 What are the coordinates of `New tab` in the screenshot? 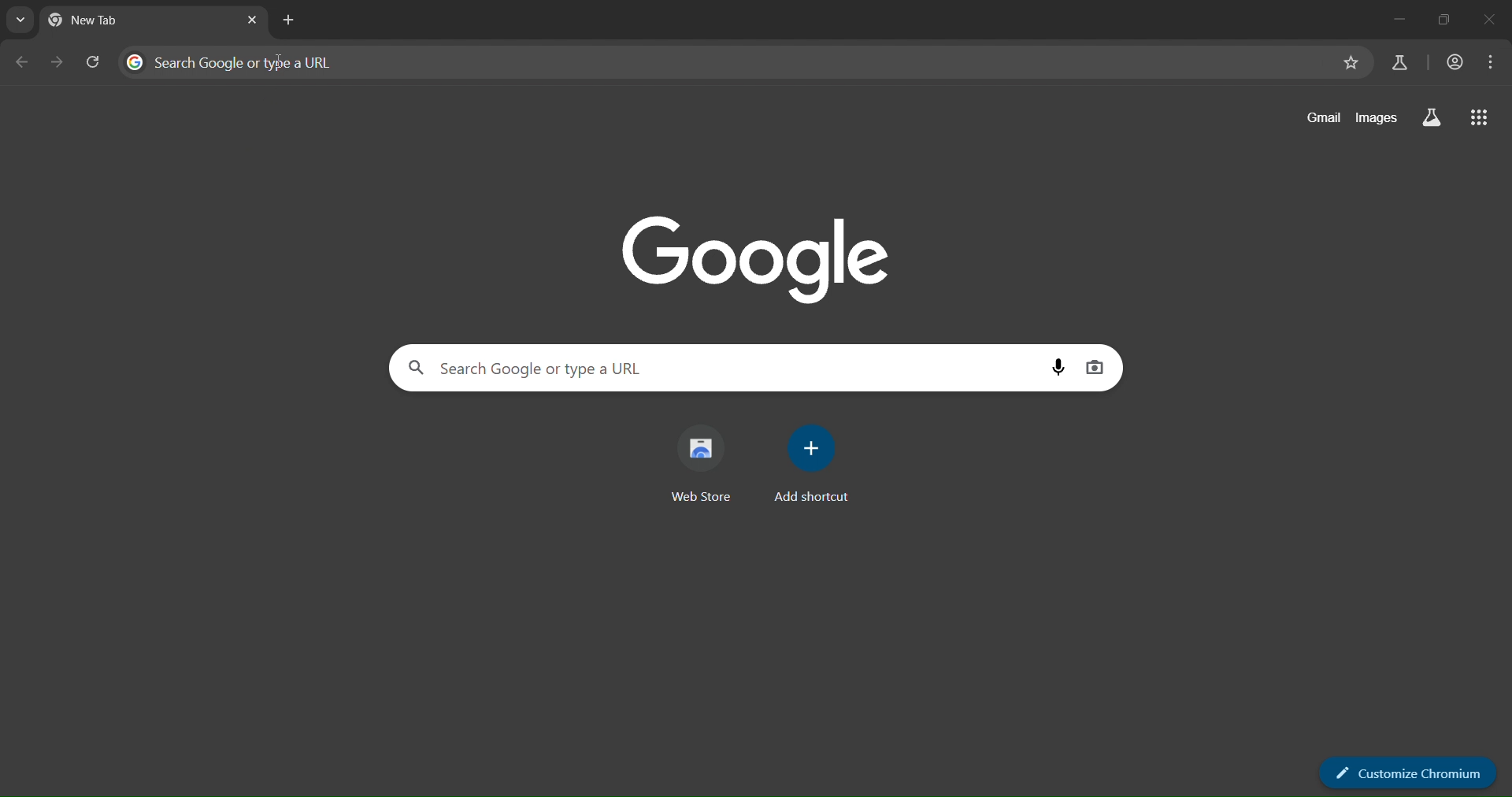 It's located at (98, 20).